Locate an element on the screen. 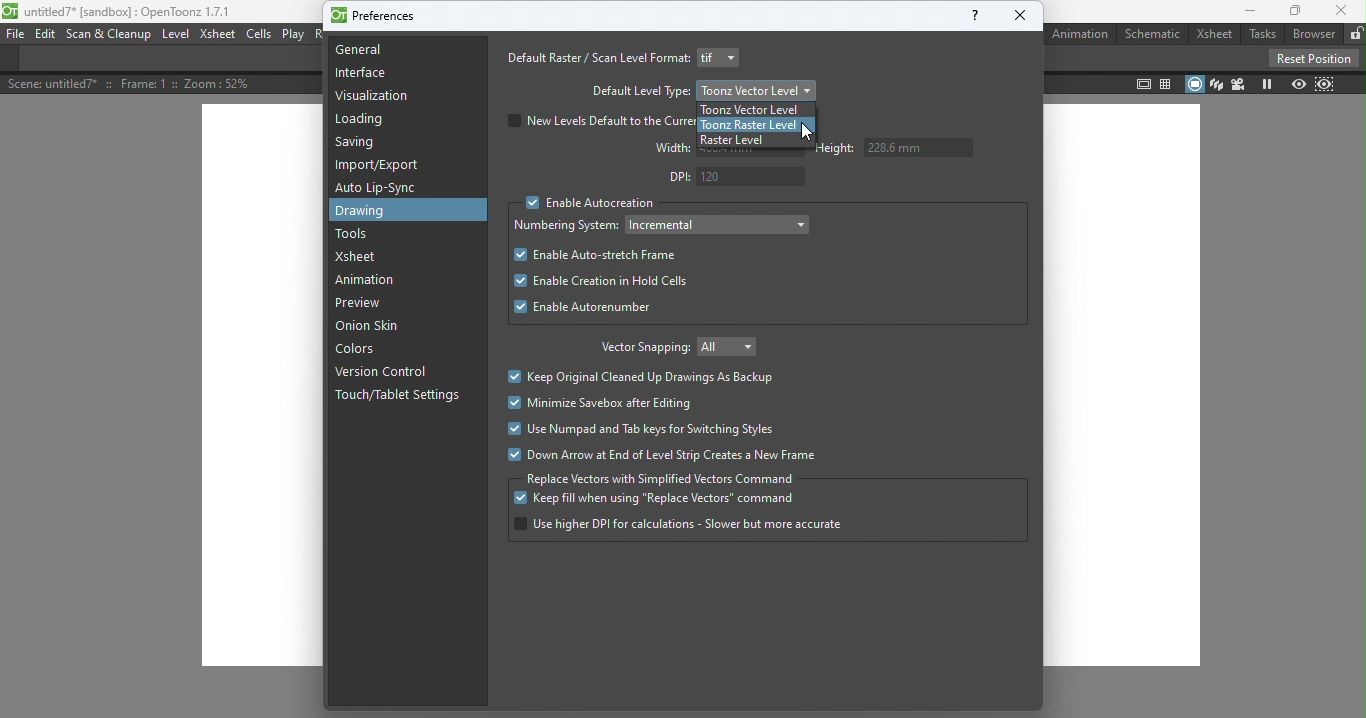 Image resolution: width=1366 pixels, height=718 pixels. Preview is located at coordinates (1297, 83).